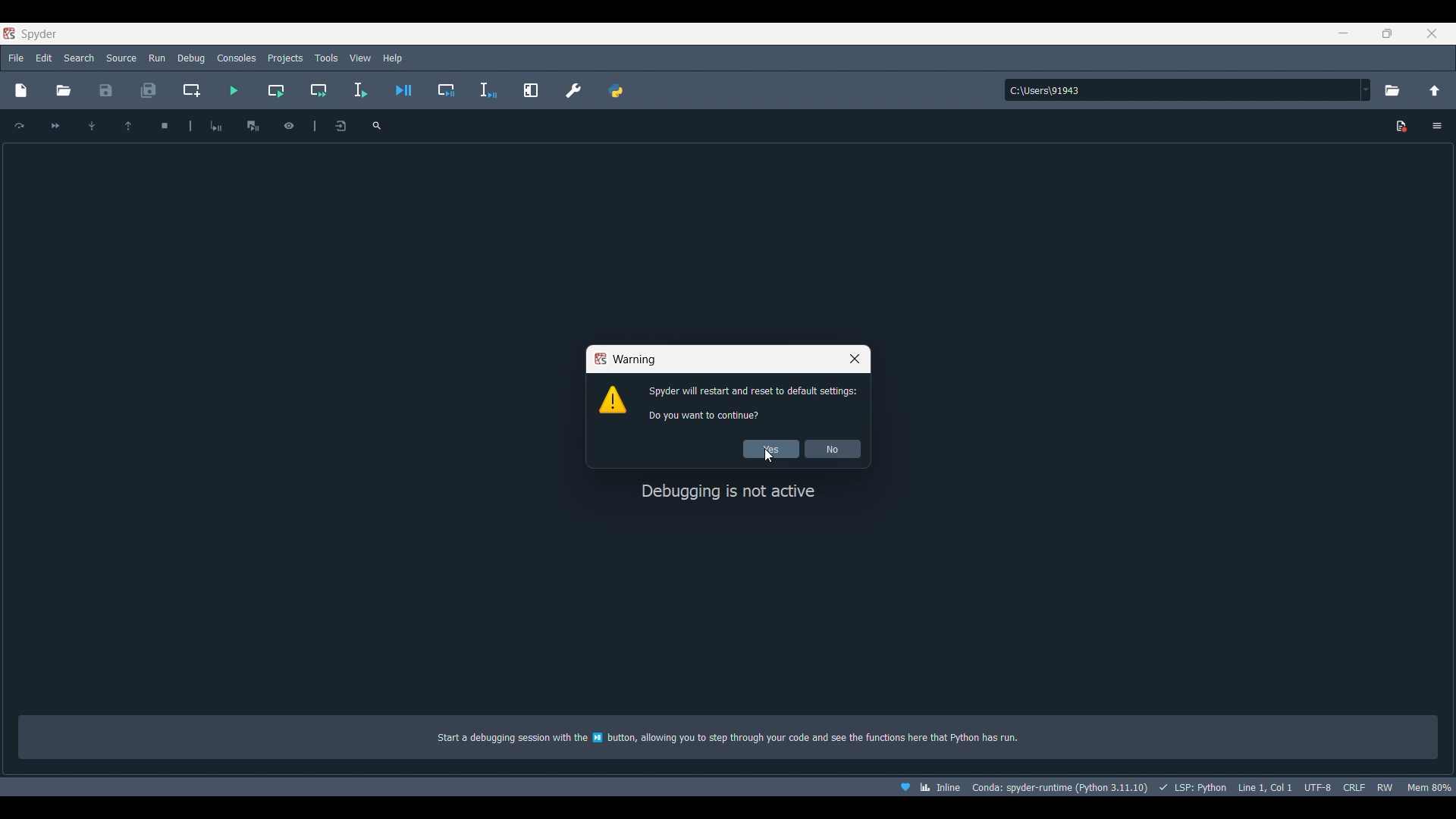  I want to click on Run current cell, so click(275, 91).